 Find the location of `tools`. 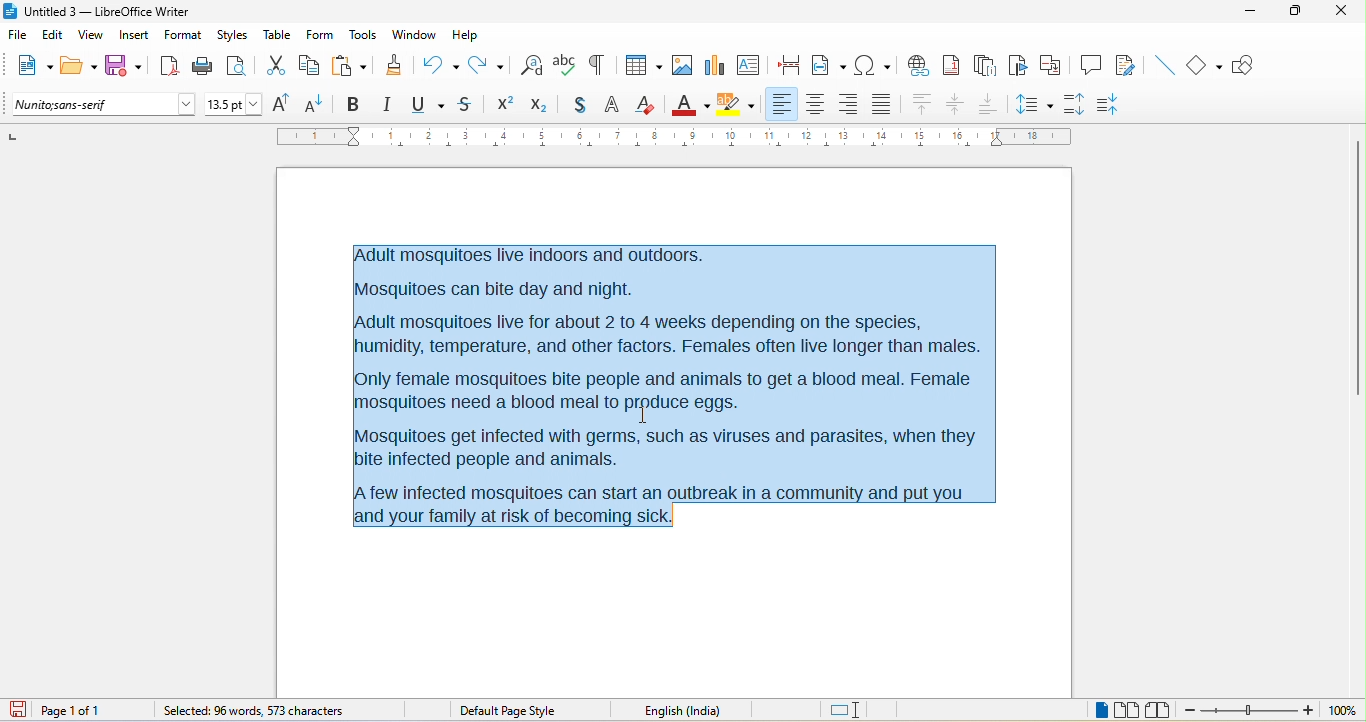

tools is located at coordinates (365, 36).